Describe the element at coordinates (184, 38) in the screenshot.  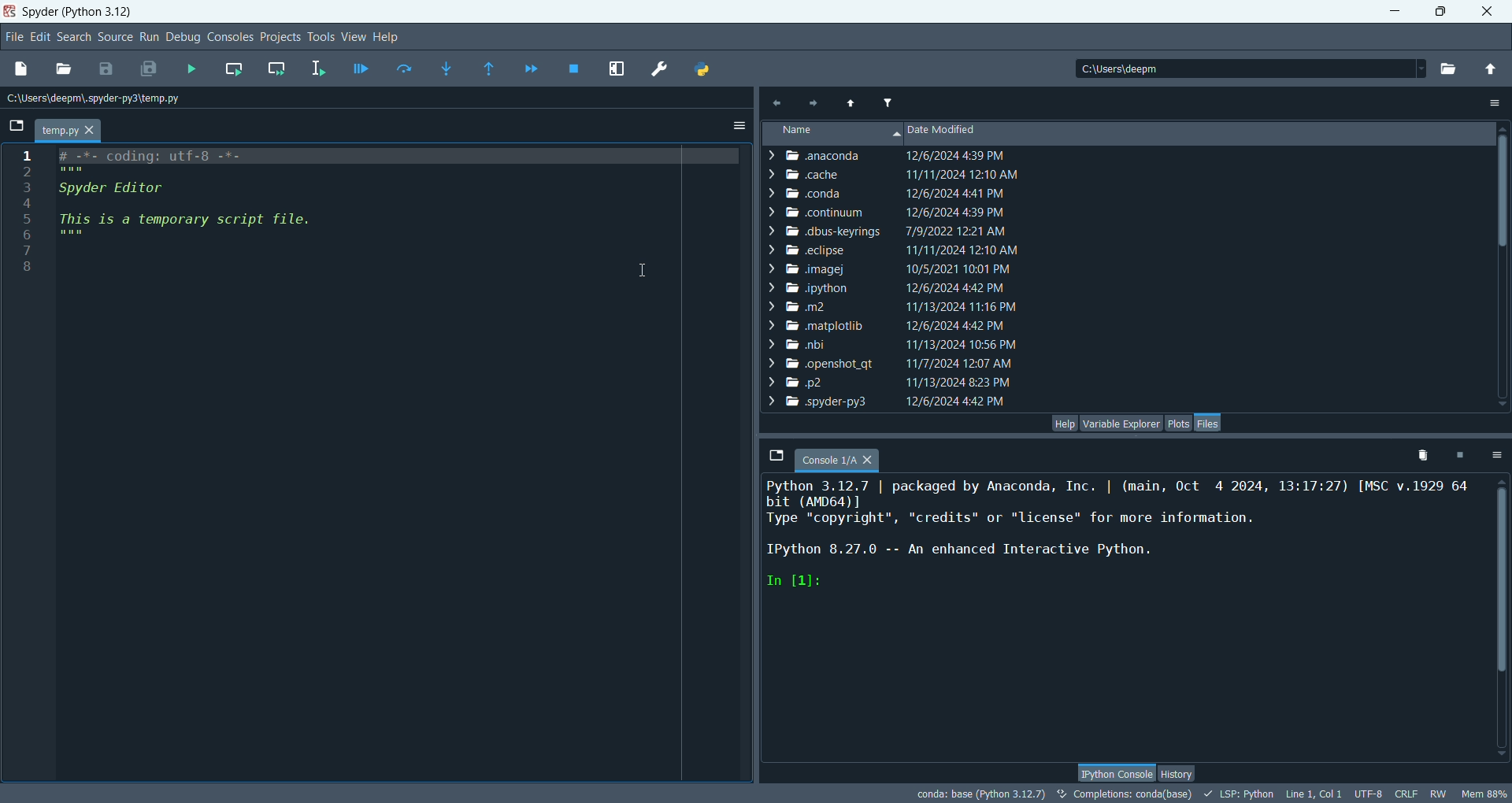
I see `debug` at that location.